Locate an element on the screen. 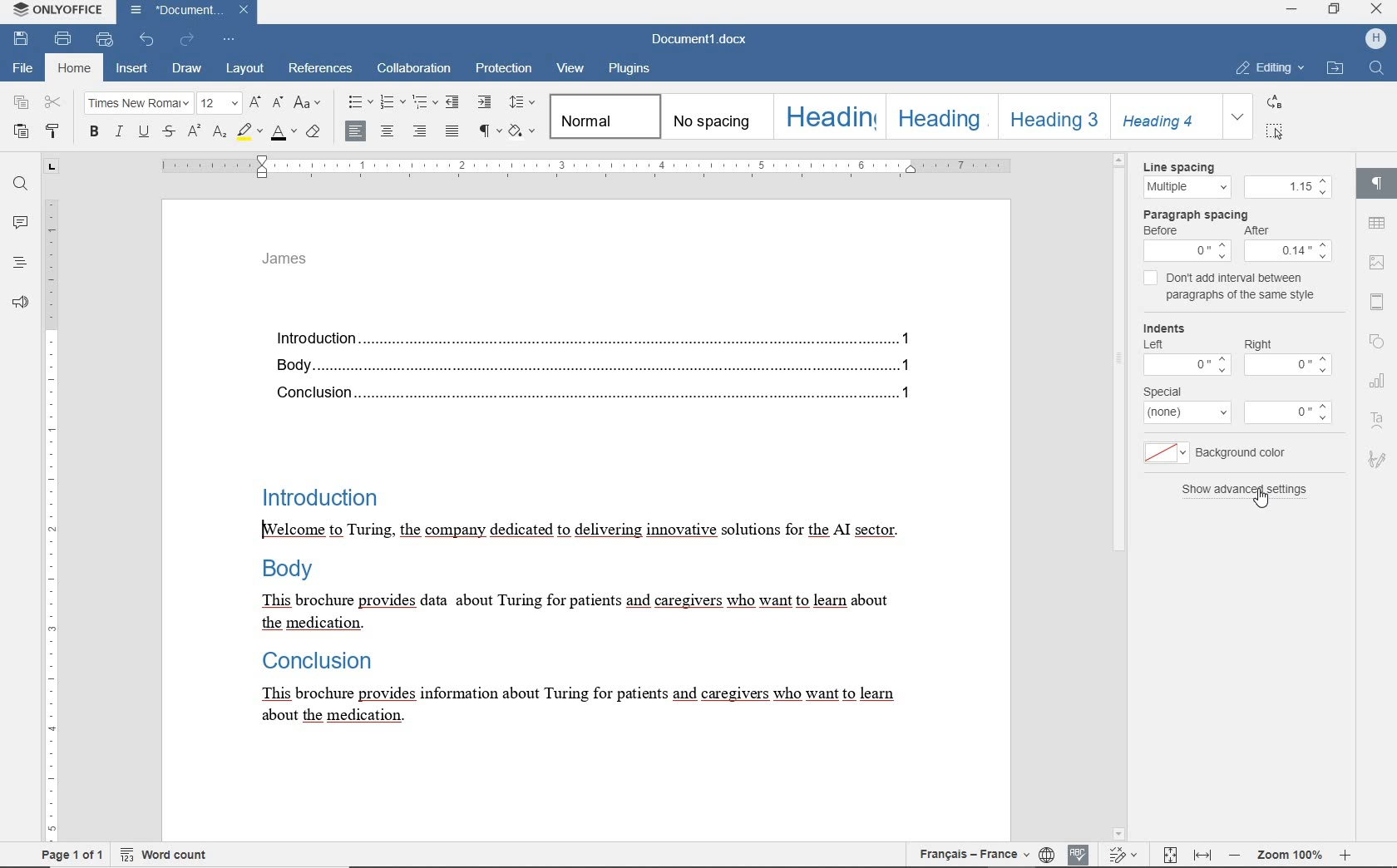  background color is located at coordinates (1251, 452).